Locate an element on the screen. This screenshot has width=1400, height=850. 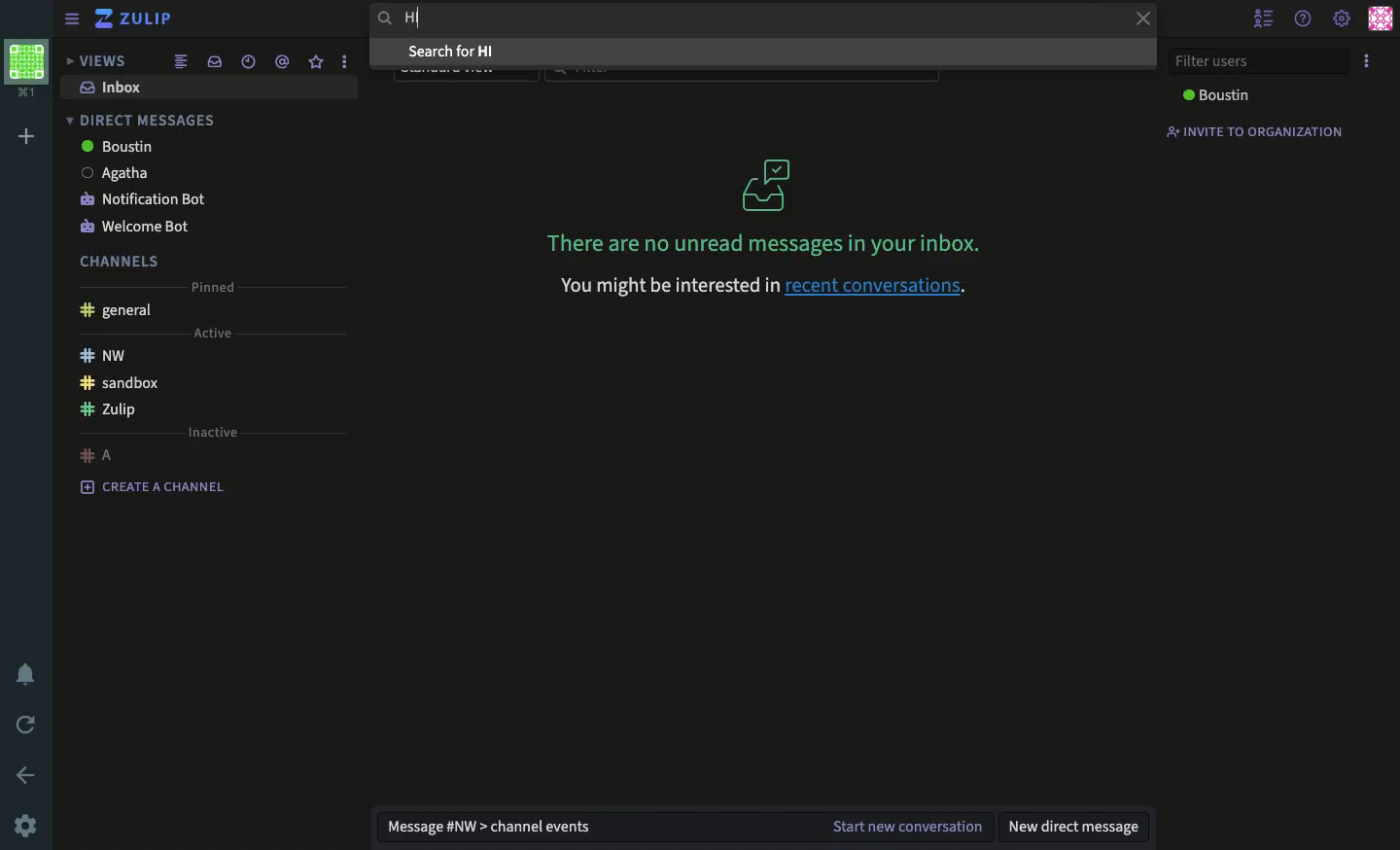
You might be interested in recent conversations. is located at coordinates (770, 290).